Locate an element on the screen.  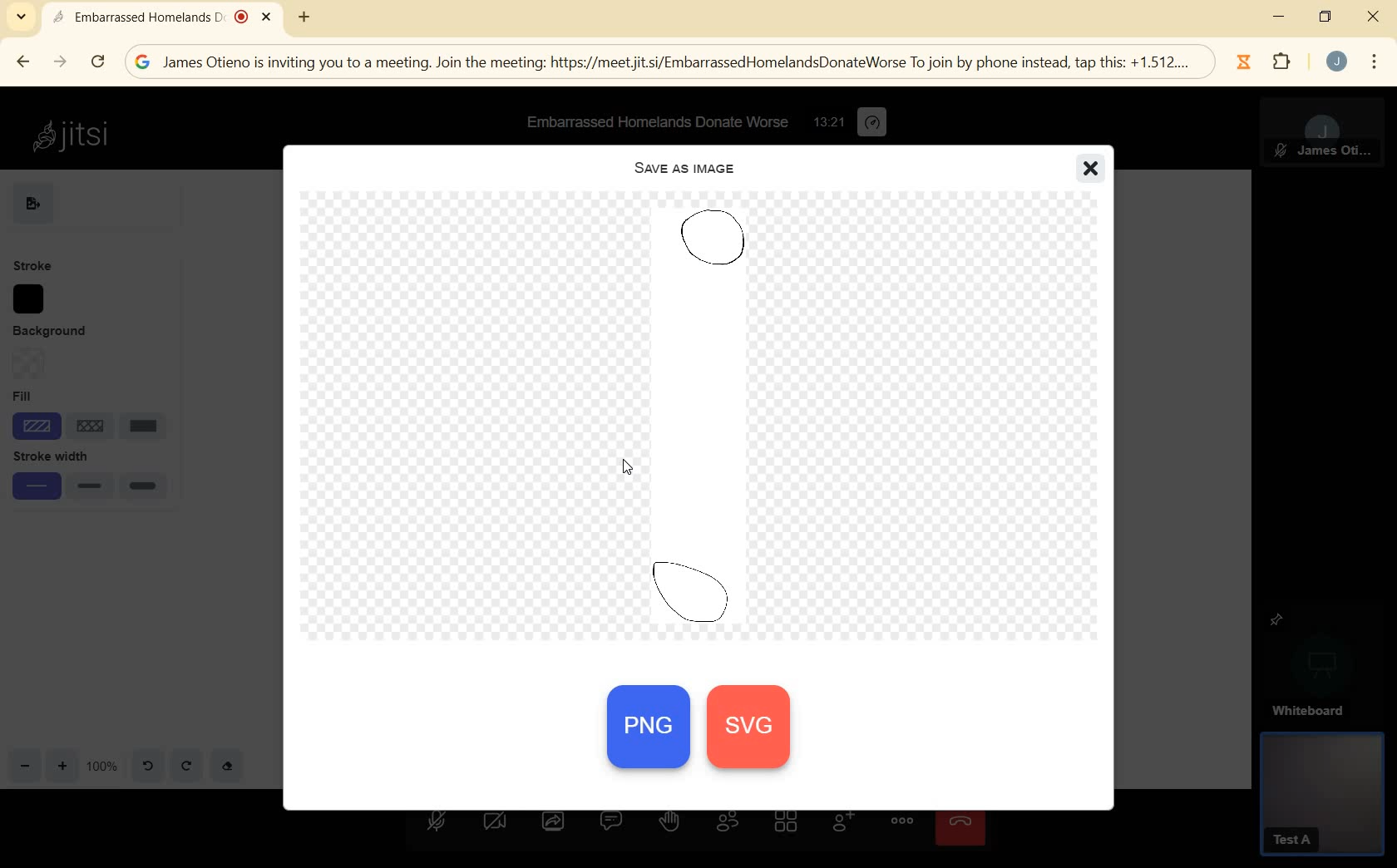
undo is located at coordinates (148, 767).